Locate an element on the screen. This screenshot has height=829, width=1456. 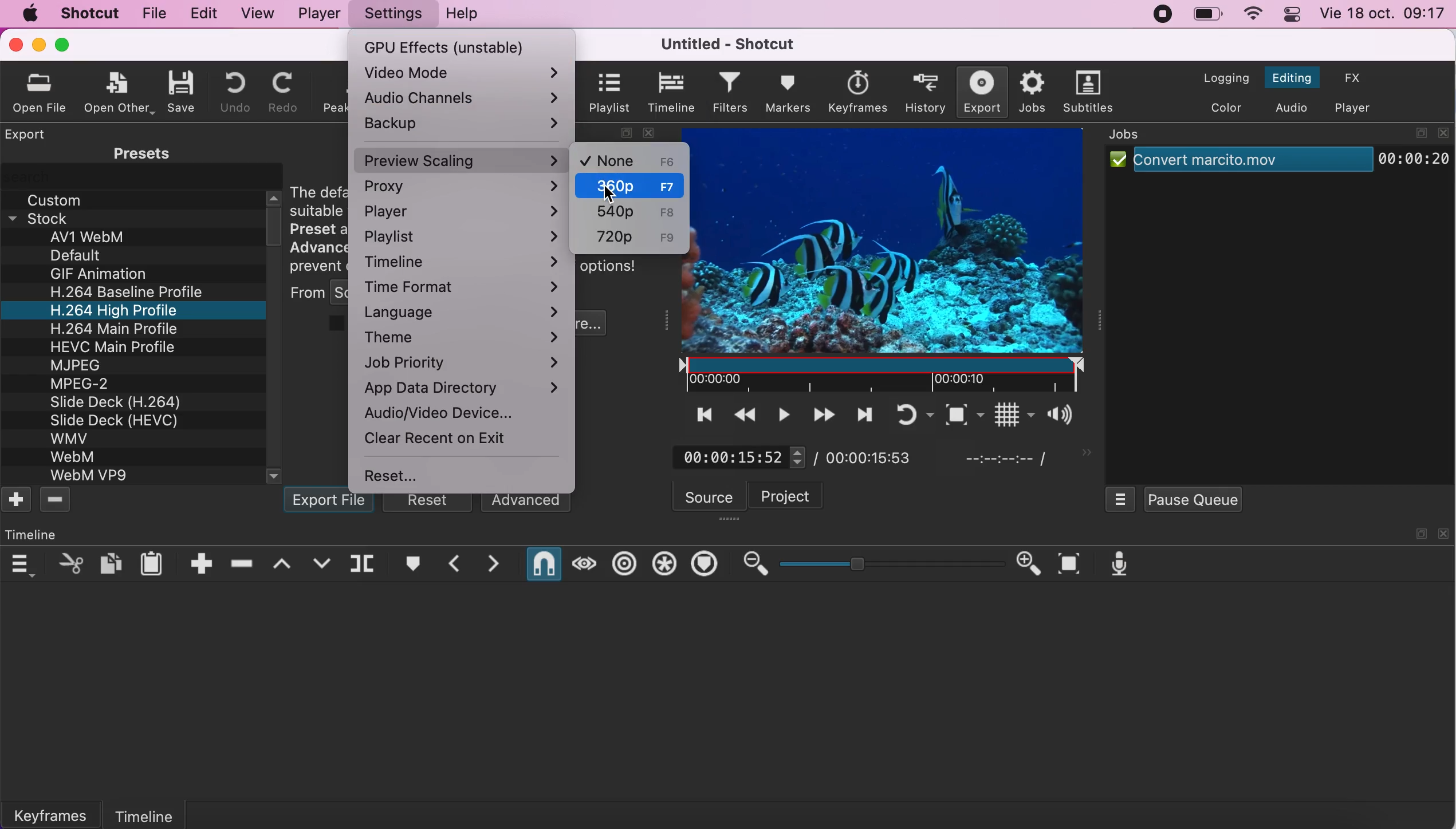
battery is located at coordinates (1207, 15).